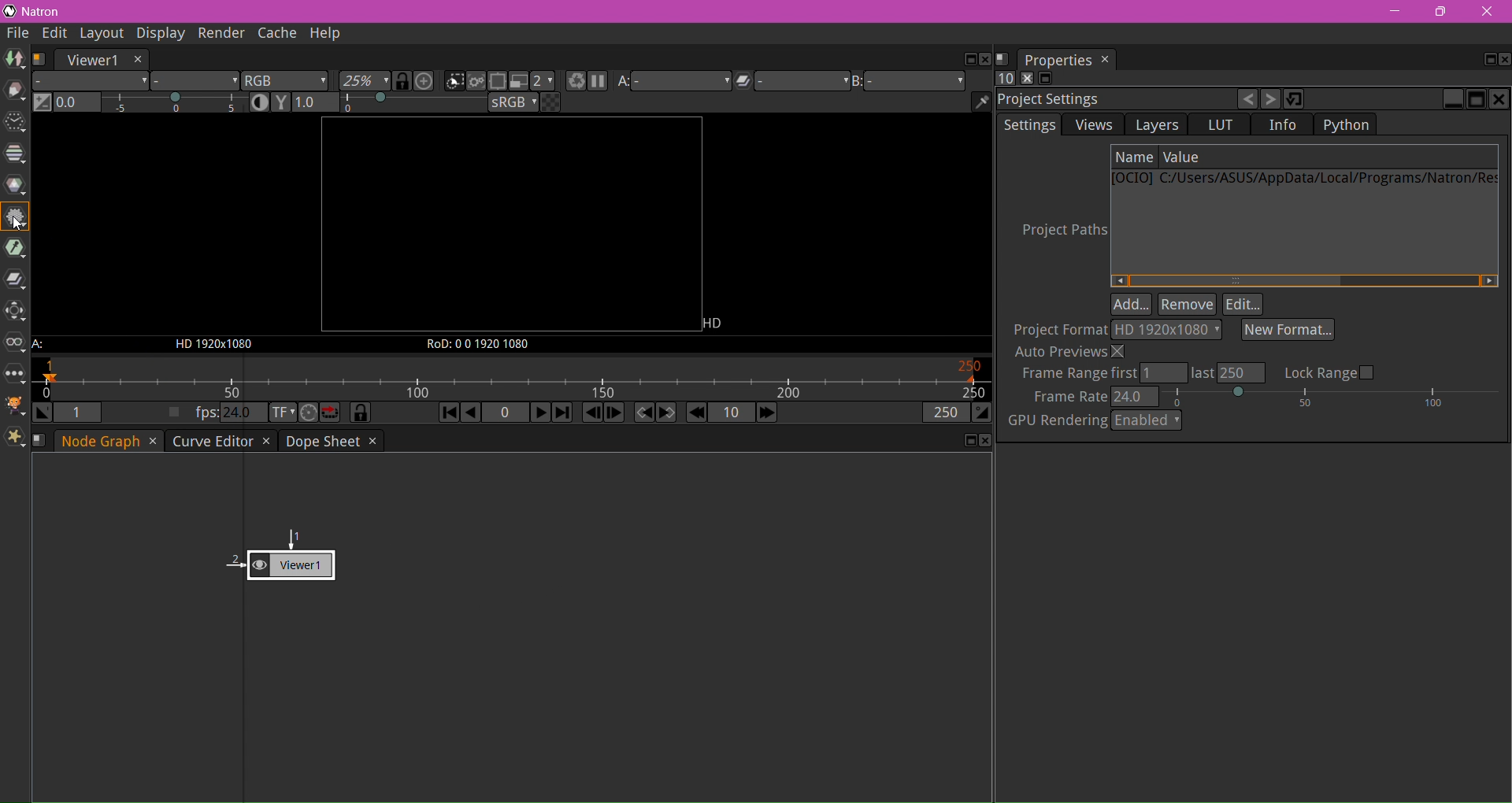  I want to click on Display, so click(157, 33).